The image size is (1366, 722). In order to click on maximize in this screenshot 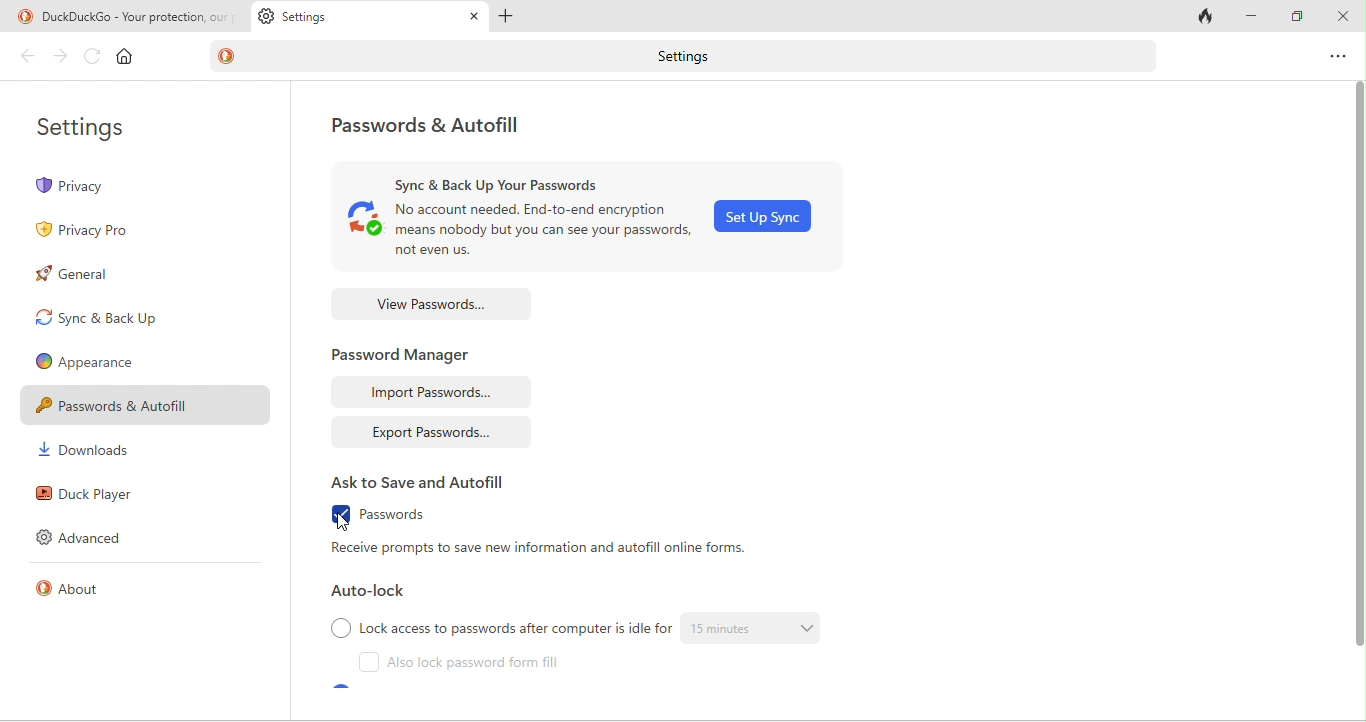, I will do `click(1296, 16)`.